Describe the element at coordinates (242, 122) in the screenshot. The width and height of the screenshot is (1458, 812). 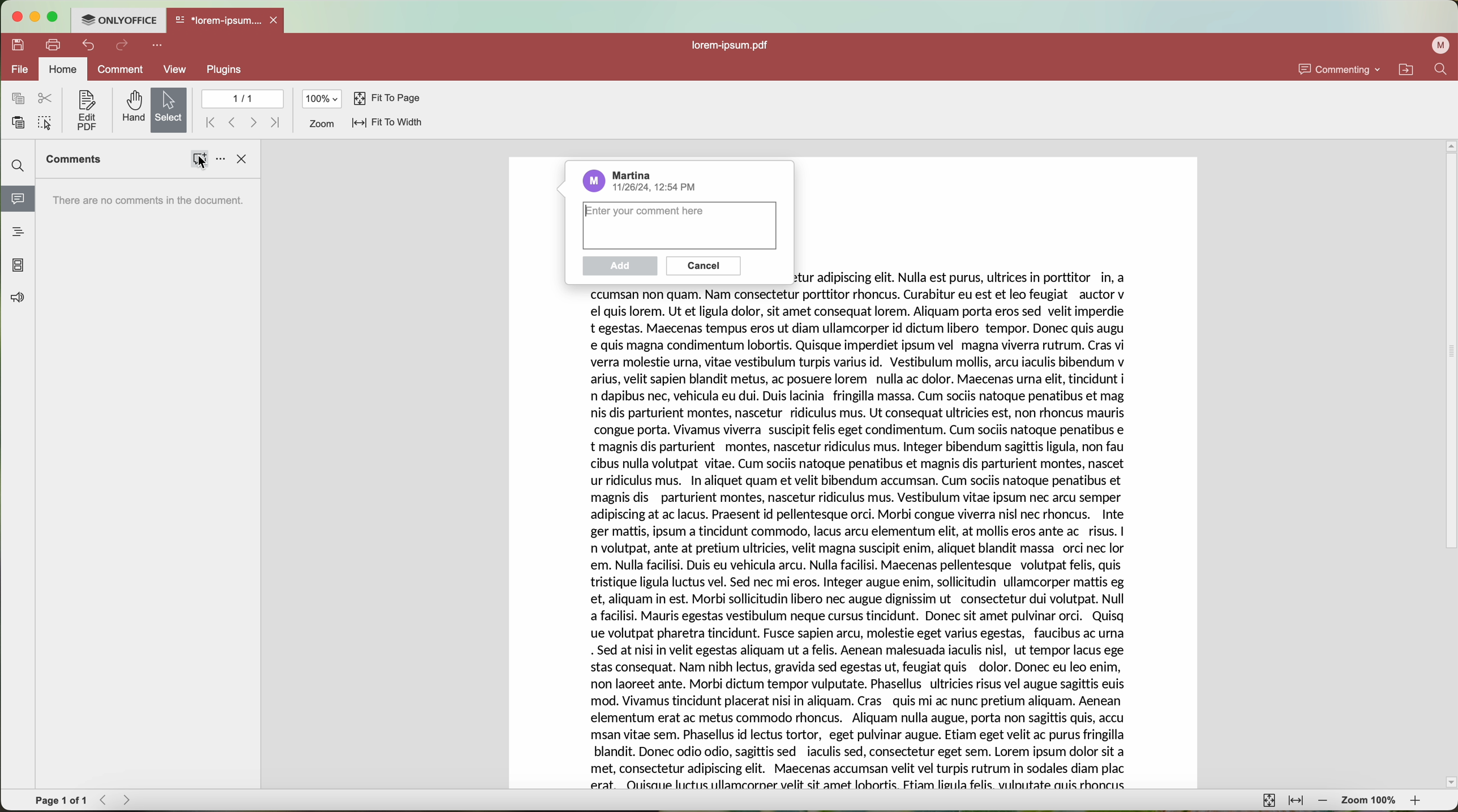
I see `navigate arrows` at that location.